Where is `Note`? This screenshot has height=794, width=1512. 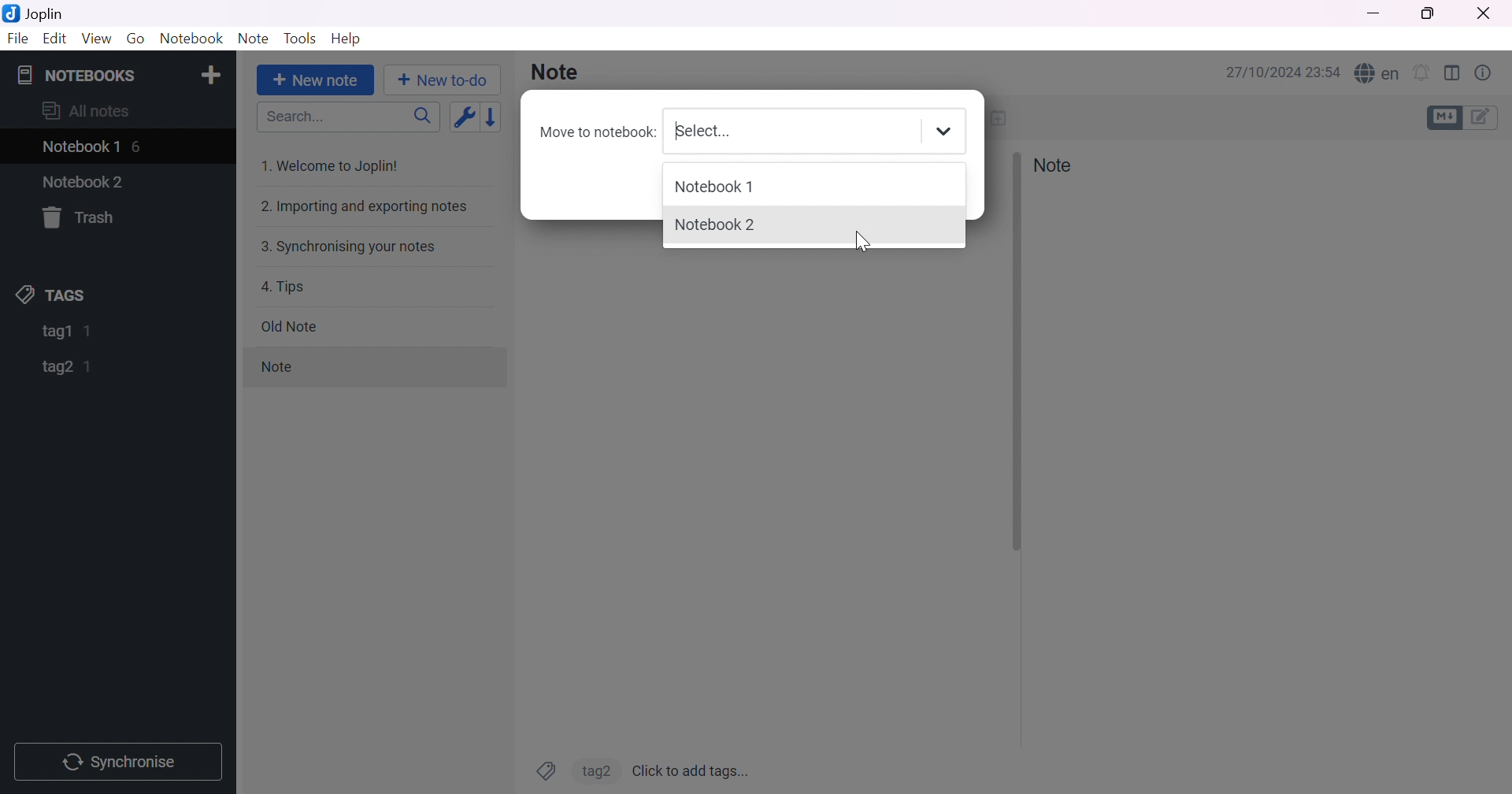
Note is located at coordinates (1053, 165).